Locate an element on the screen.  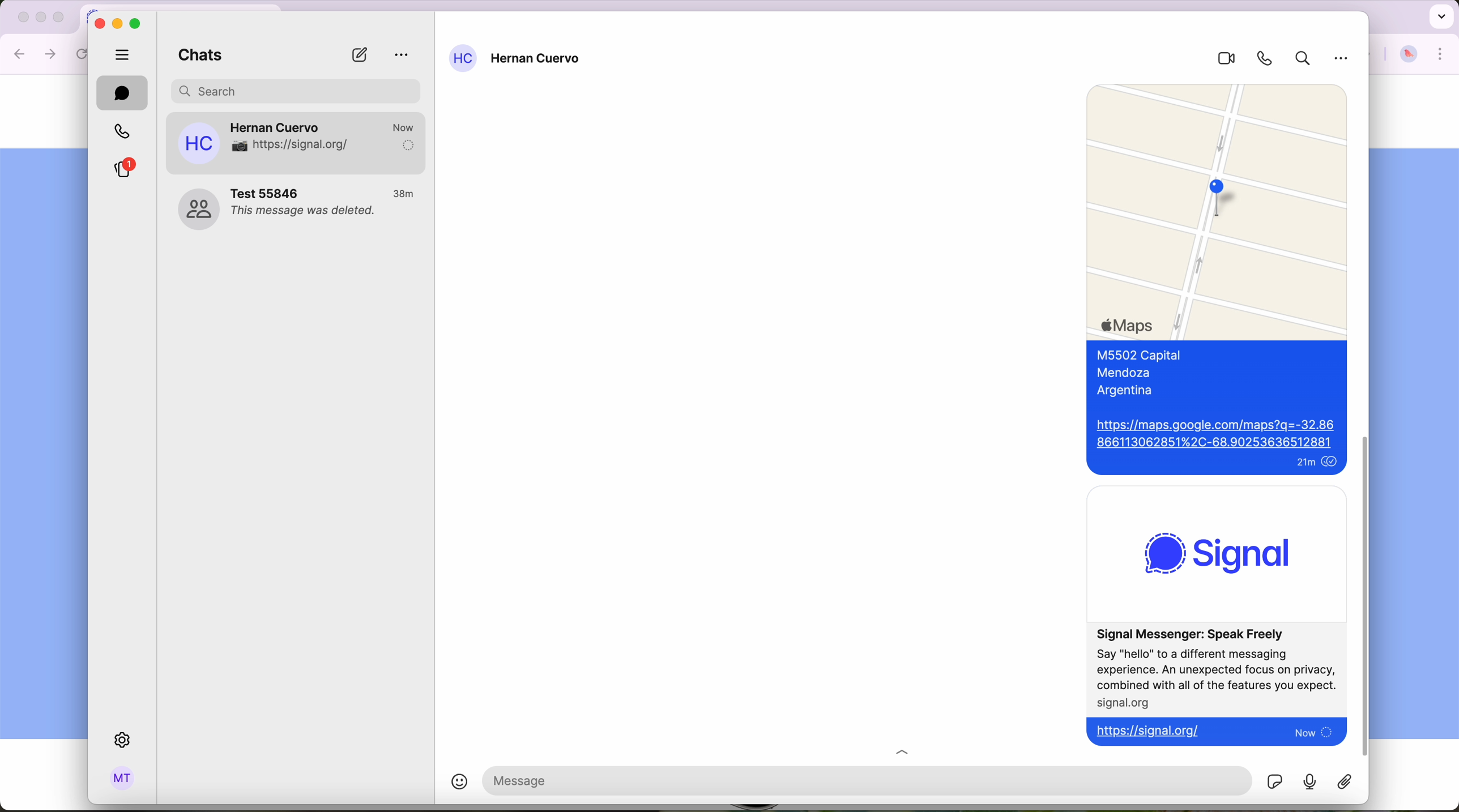
38m is located at coordinates (405, 194).